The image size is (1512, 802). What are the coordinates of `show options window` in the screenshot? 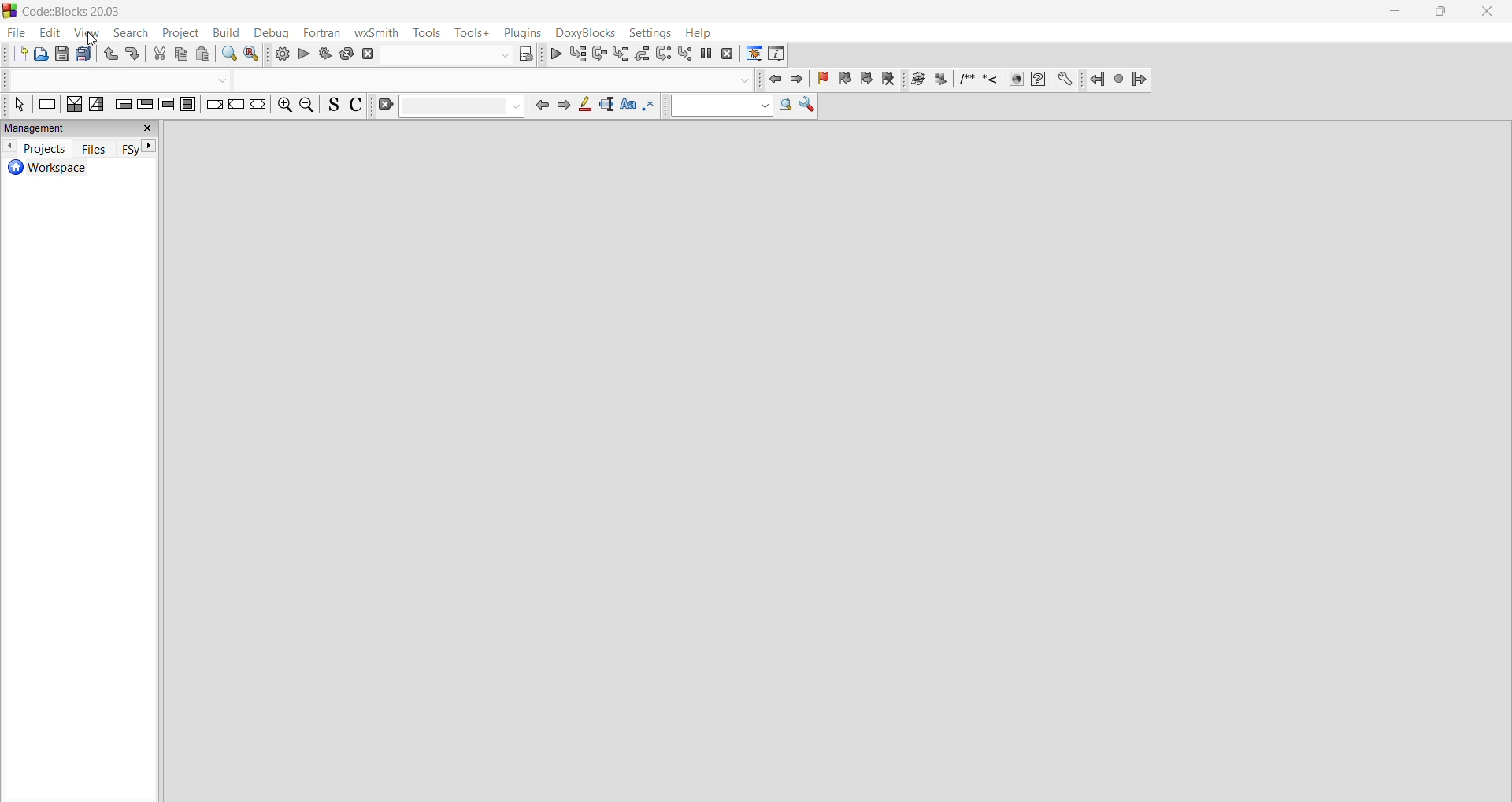 It's located at (808, 107).